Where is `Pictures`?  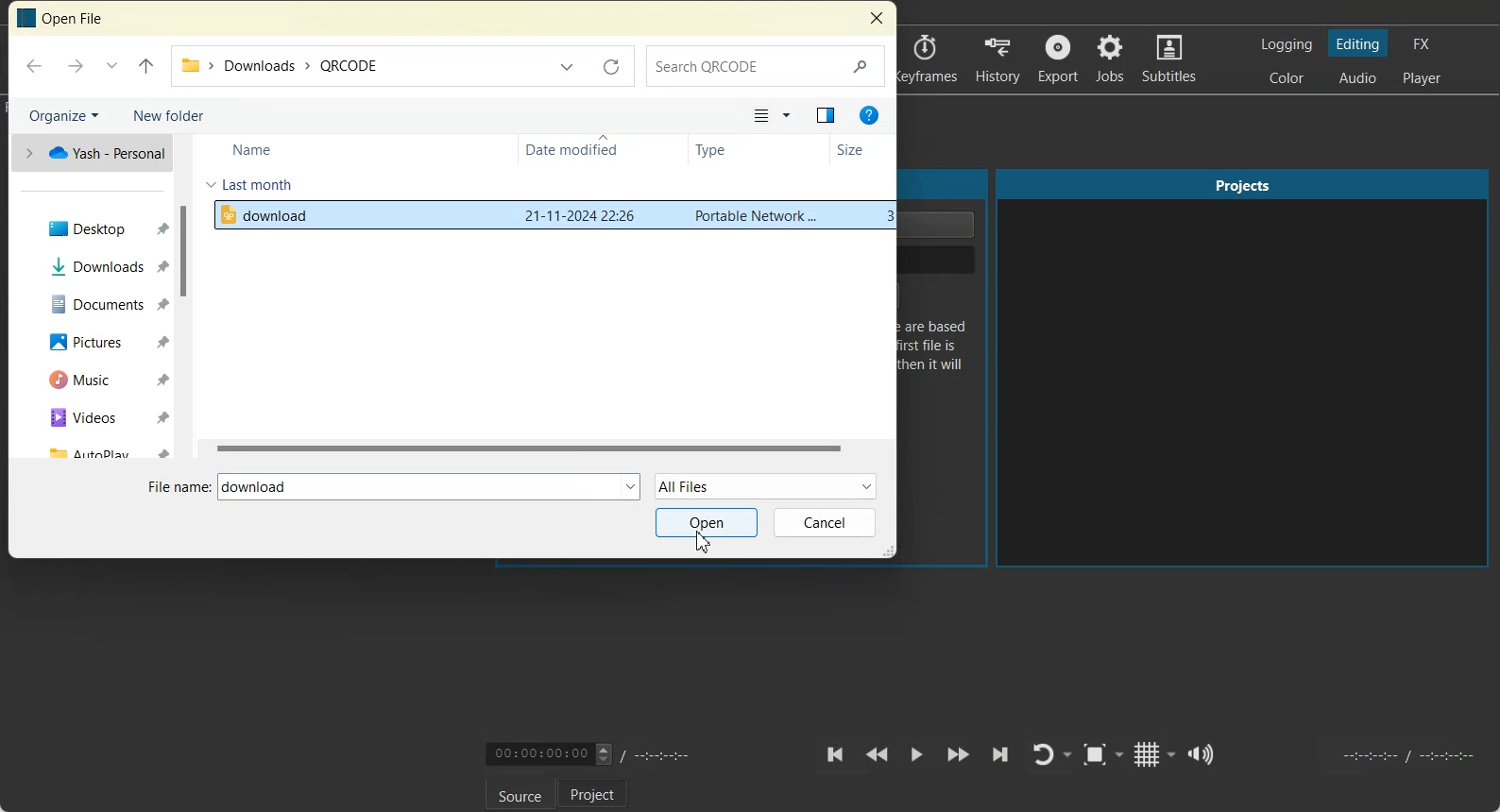
Pictures is located at coordinates (100, 341).